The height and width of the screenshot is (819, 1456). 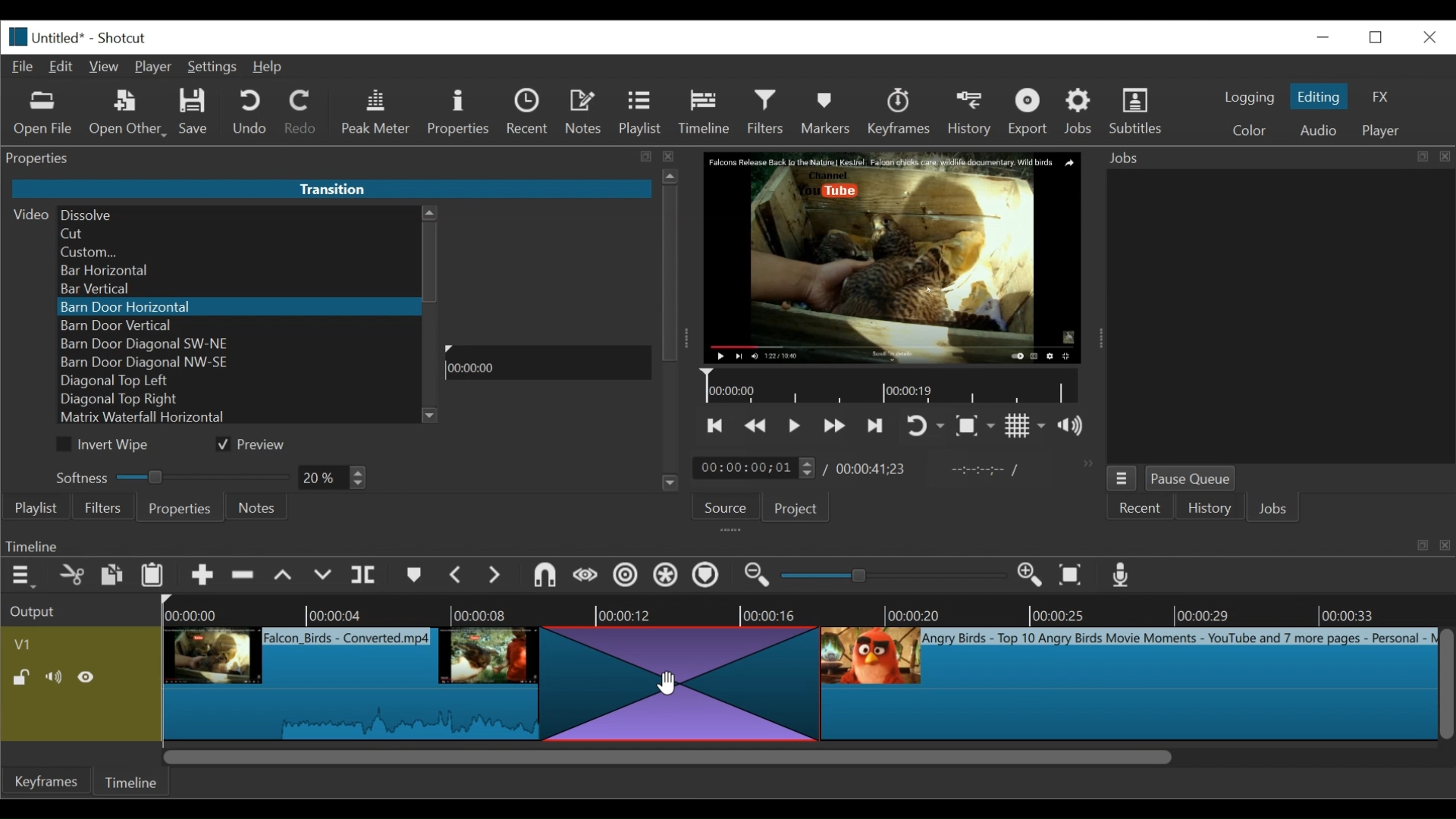 What do you see at coordinates (238, 326) in the screenshot?
I see `Barn Door Vertical` at bounding box center [238, 326].